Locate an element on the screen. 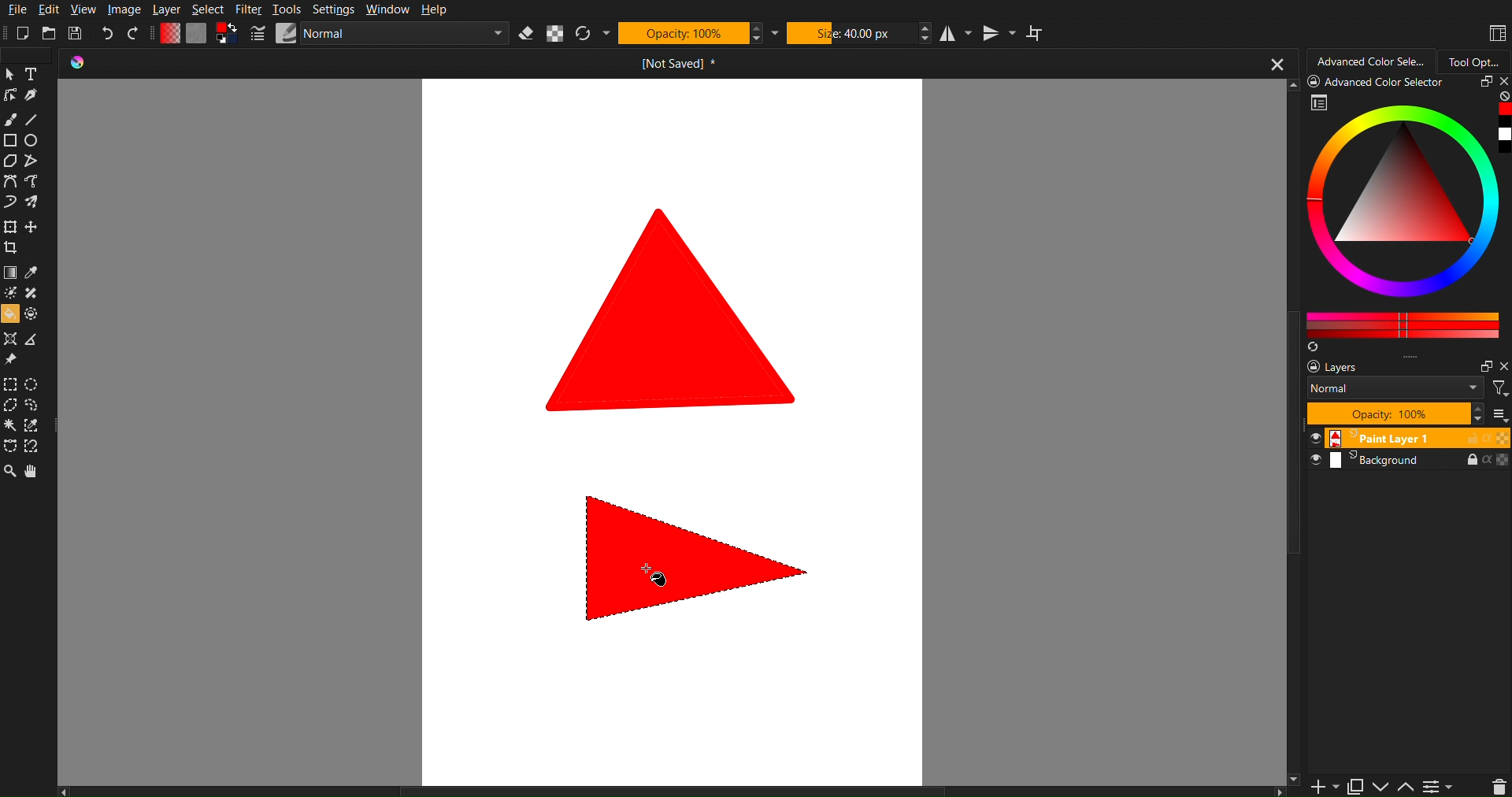 Image resolution: width=1512 pixels, height=797 pixels. Zoom is located at coordinates (9, 473).